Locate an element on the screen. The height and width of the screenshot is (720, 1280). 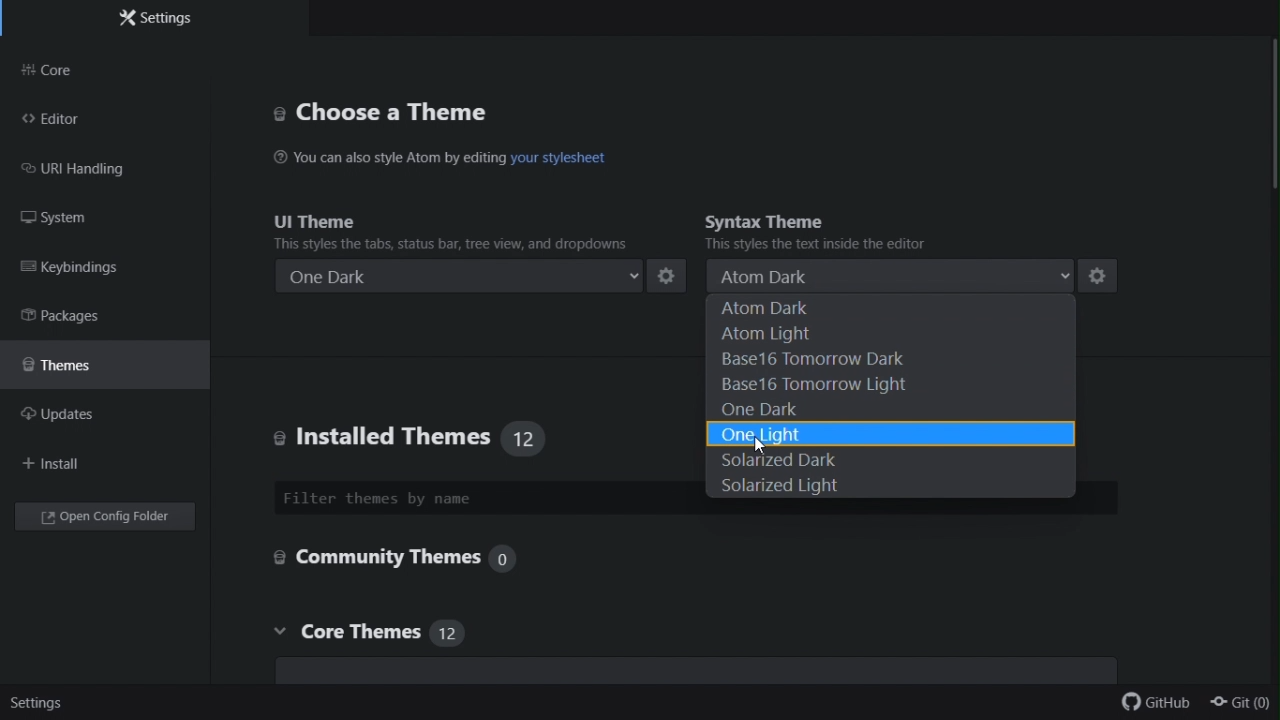
git is located at coordinates (1242, 703).